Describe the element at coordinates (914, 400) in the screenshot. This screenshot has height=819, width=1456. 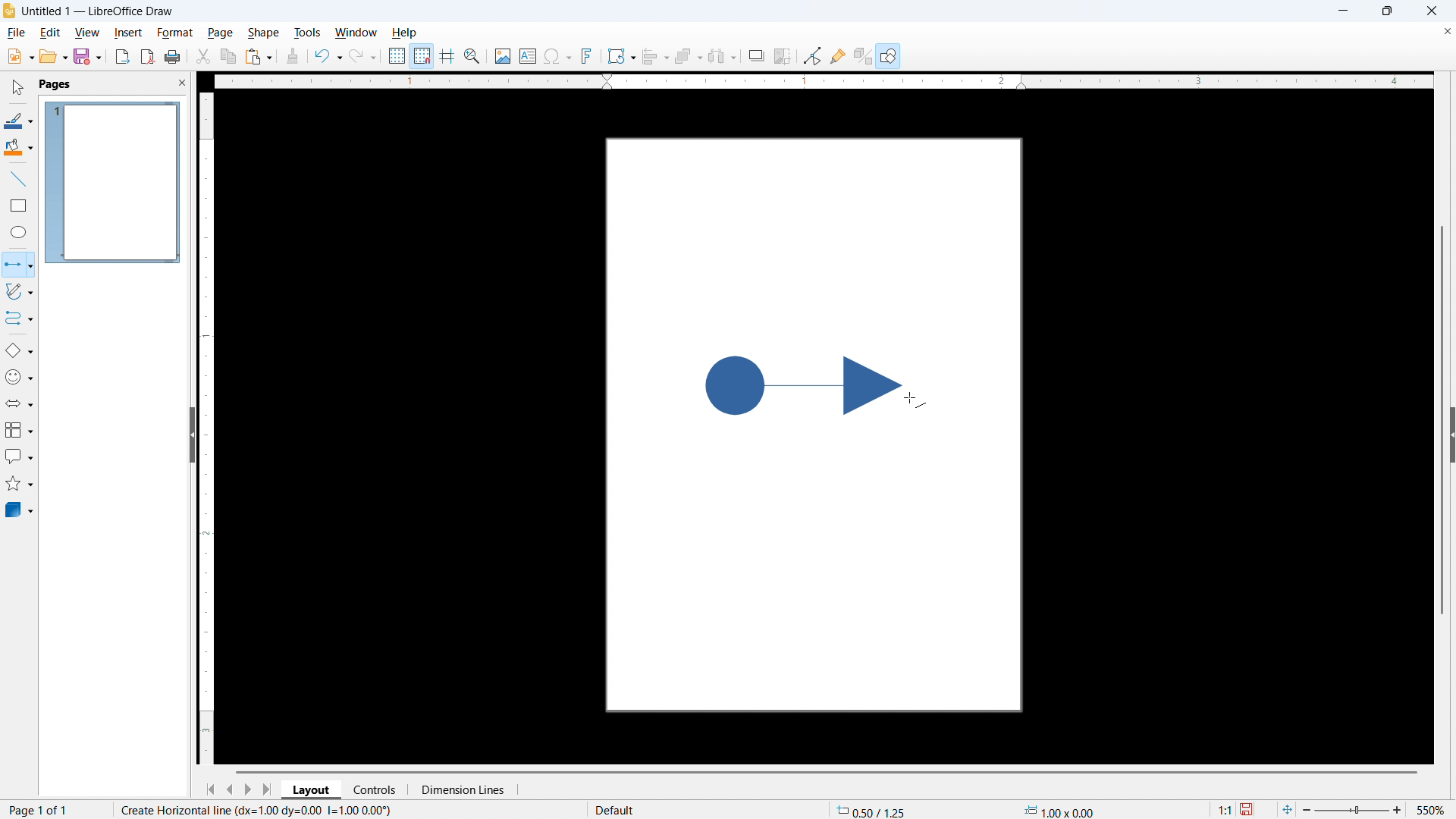
I see `cursor` at that location.